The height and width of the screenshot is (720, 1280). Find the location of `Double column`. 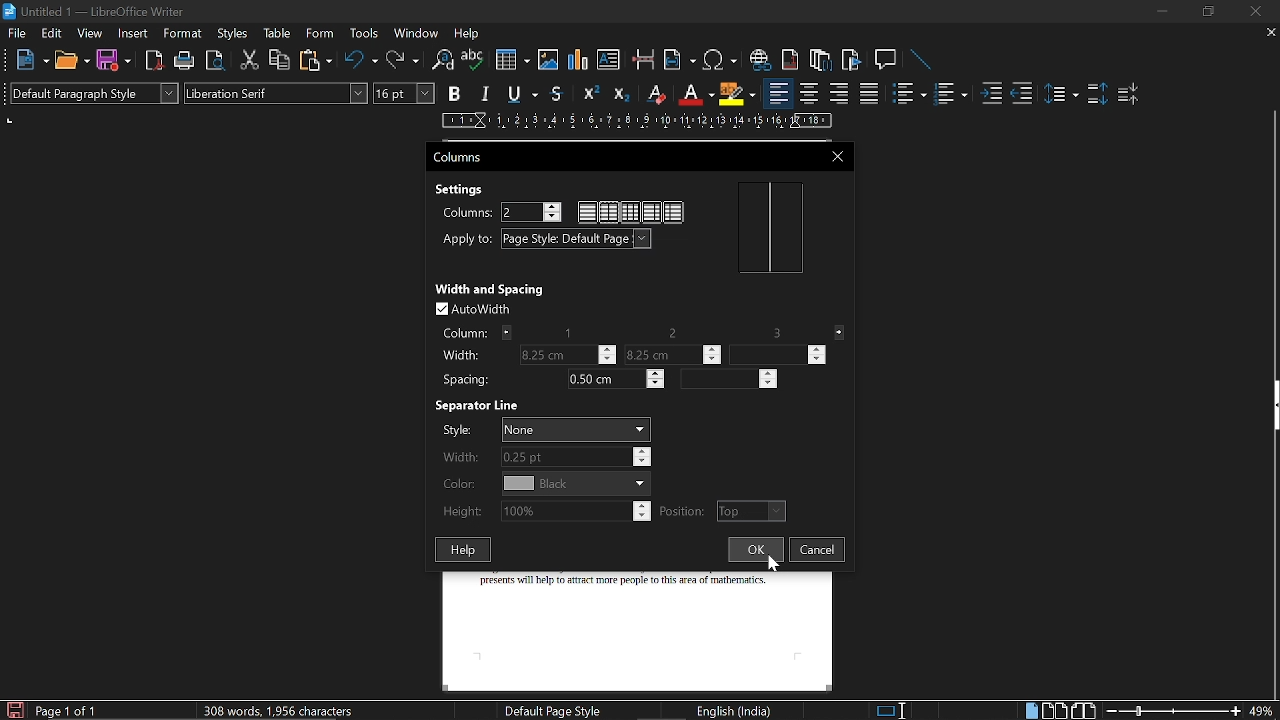

Double column is located at coordinates (609, 212).